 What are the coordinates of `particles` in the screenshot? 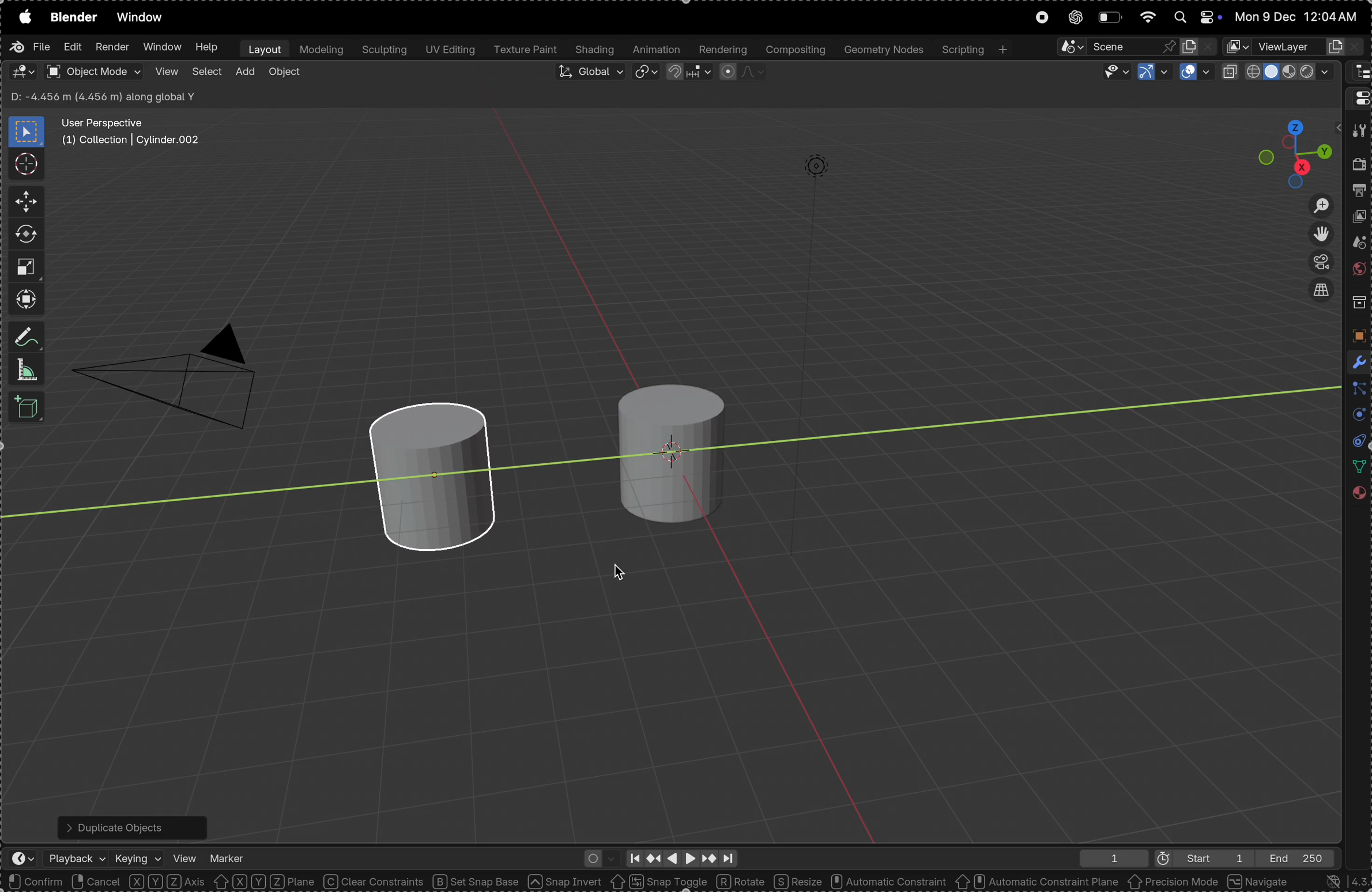 It's located at (1356, 390).